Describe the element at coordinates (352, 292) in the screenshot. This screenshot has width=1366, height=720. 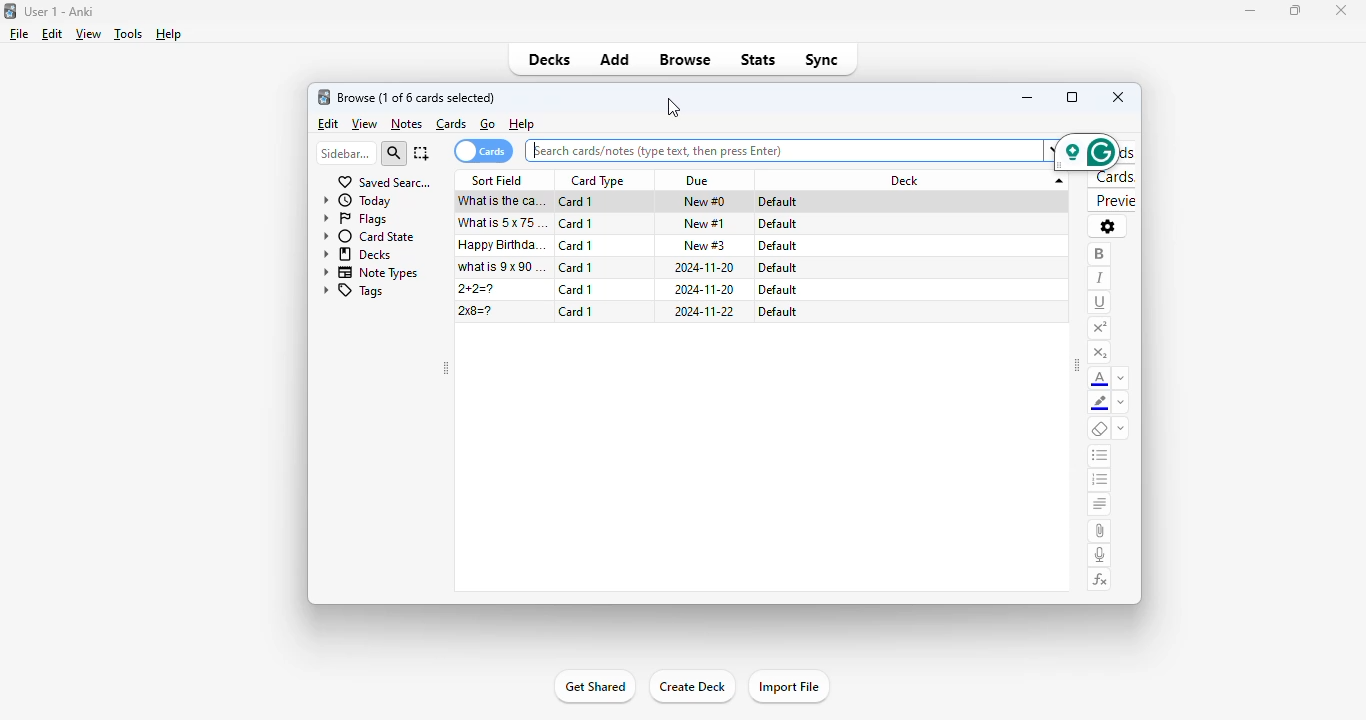
I see `tags` at that location.